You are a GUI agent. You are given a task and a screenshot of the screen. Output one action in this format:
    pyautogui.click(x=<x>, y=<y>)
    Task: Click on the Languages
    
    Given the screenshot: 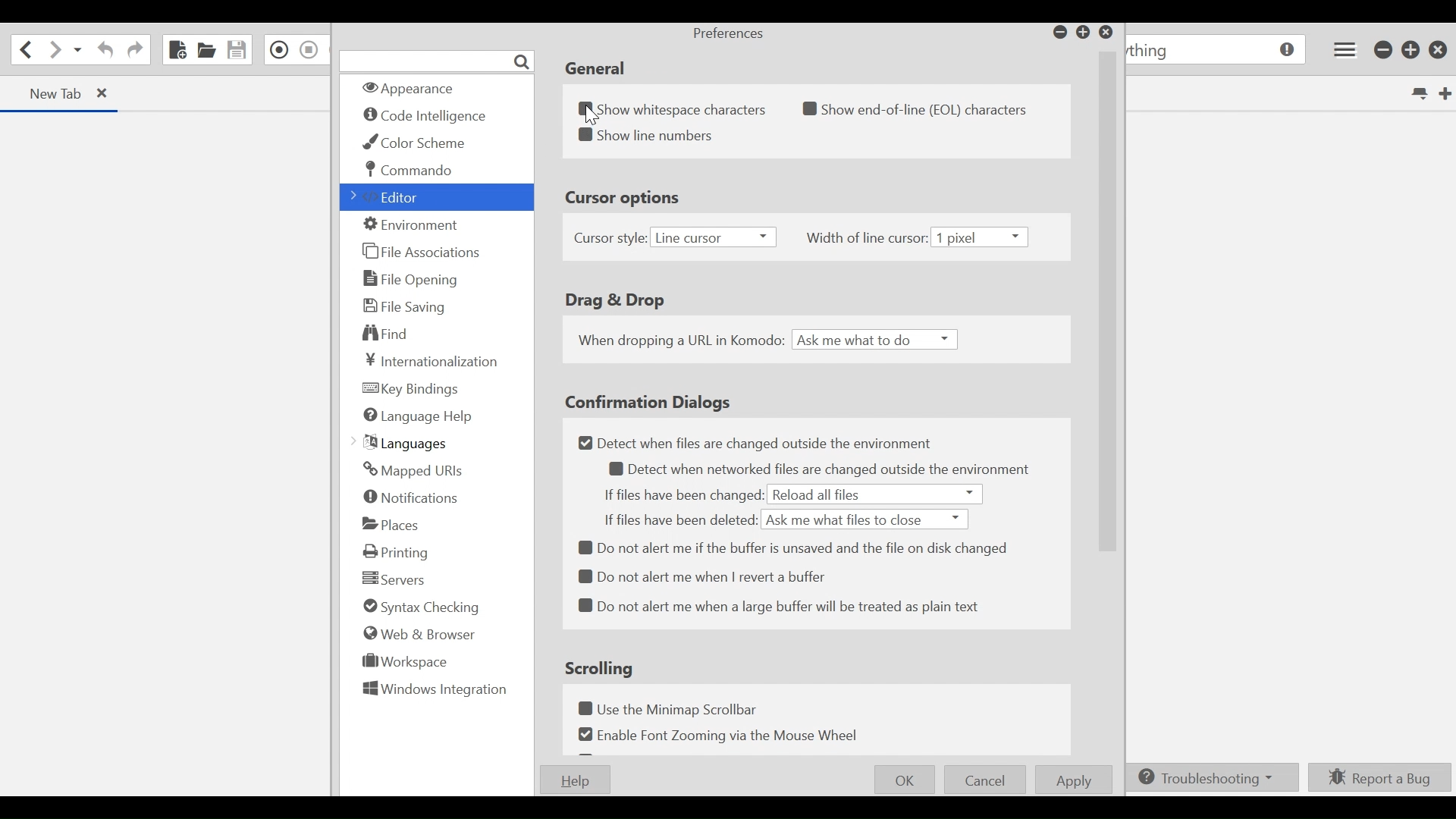 What is the action you would take?
    pyautogui.click(x=403, y=442)
    